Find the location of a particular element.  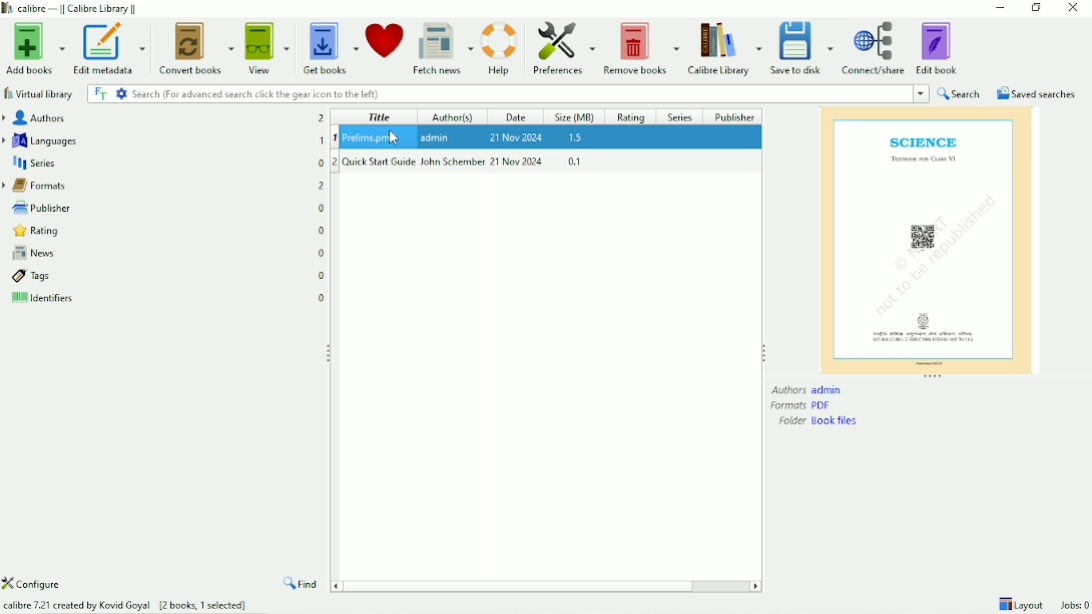

2 is located at coordinates (322, 186).